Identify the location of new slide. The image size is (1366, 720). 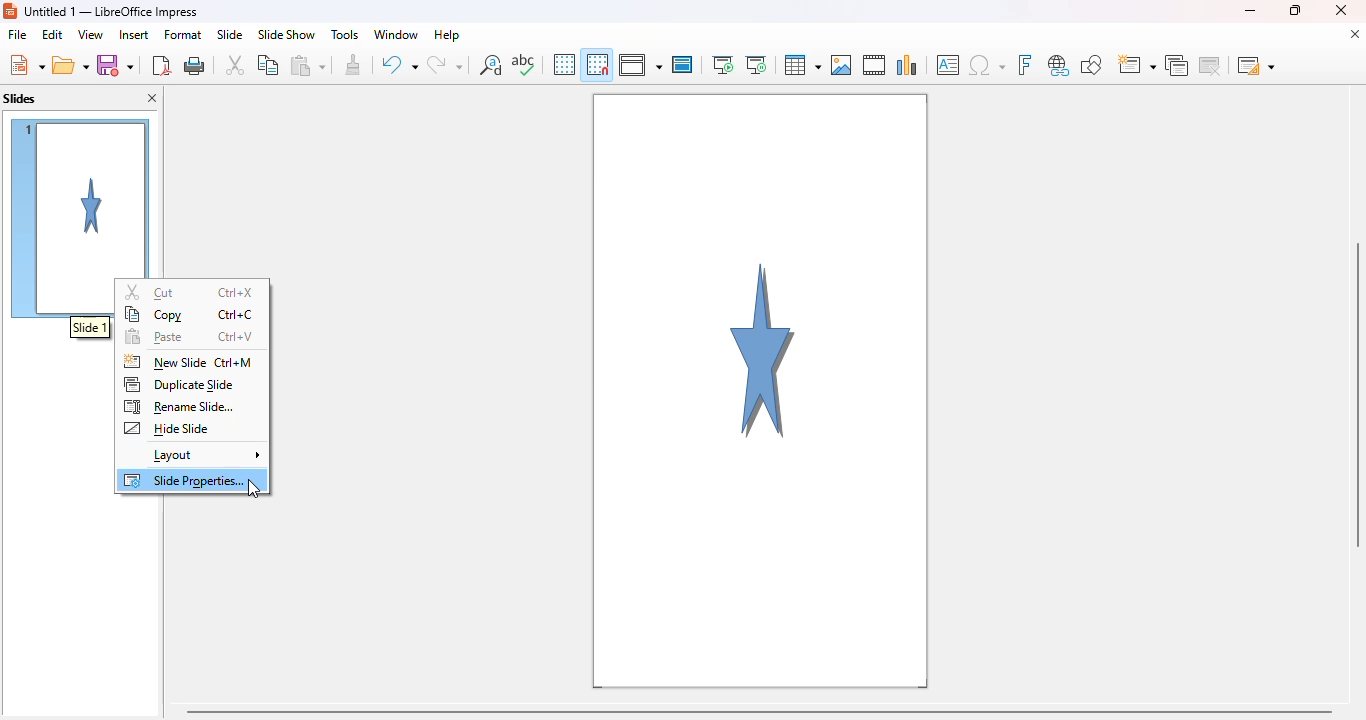
(1137, 64).